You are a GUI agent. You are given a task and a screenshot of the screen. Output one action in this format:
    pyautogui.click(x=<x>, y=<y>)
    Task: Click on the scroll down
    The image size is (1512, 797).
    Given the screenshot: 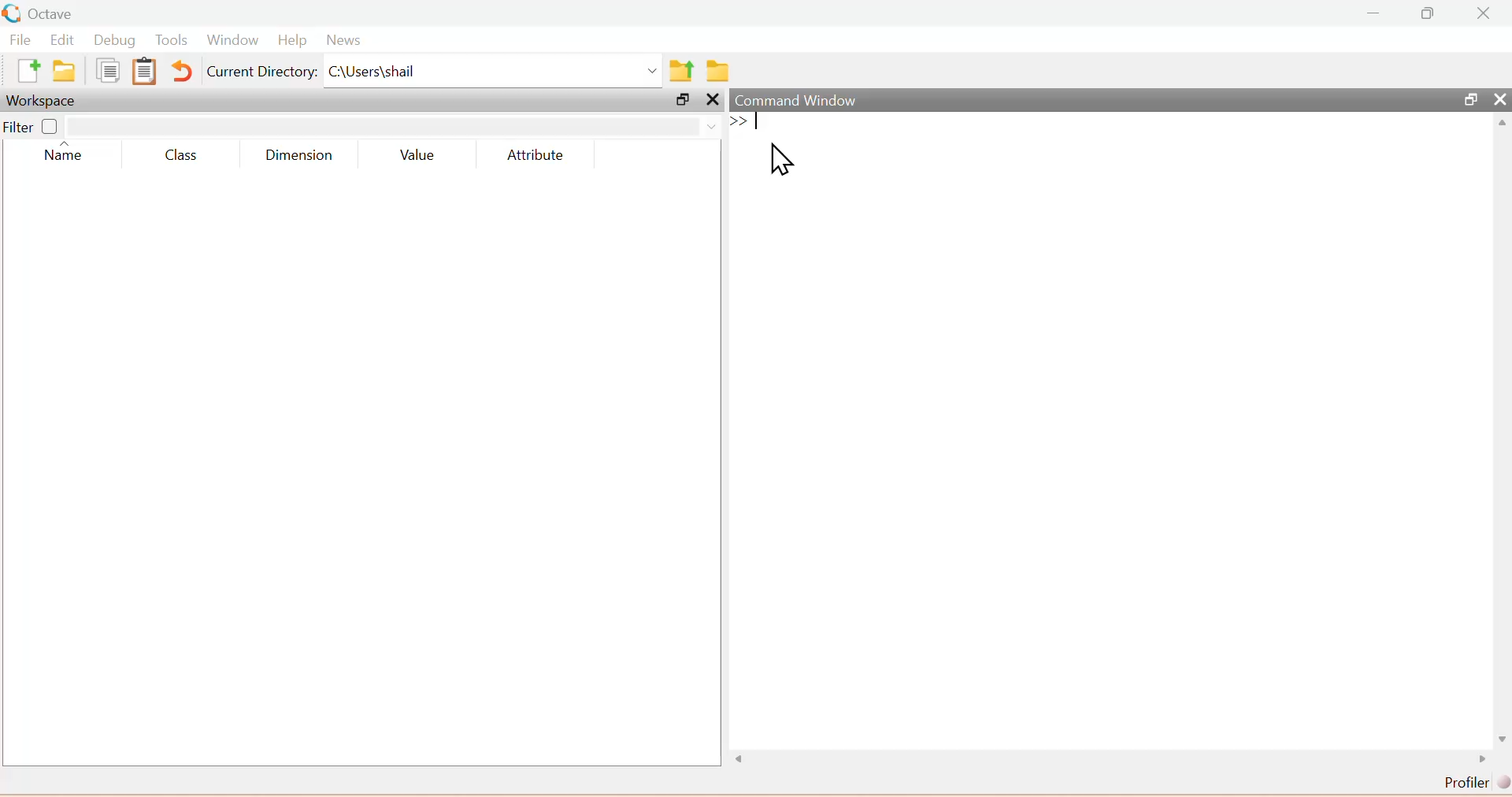 What is the action you would take?
    pyautogui.click(x=1498, y=737)
    